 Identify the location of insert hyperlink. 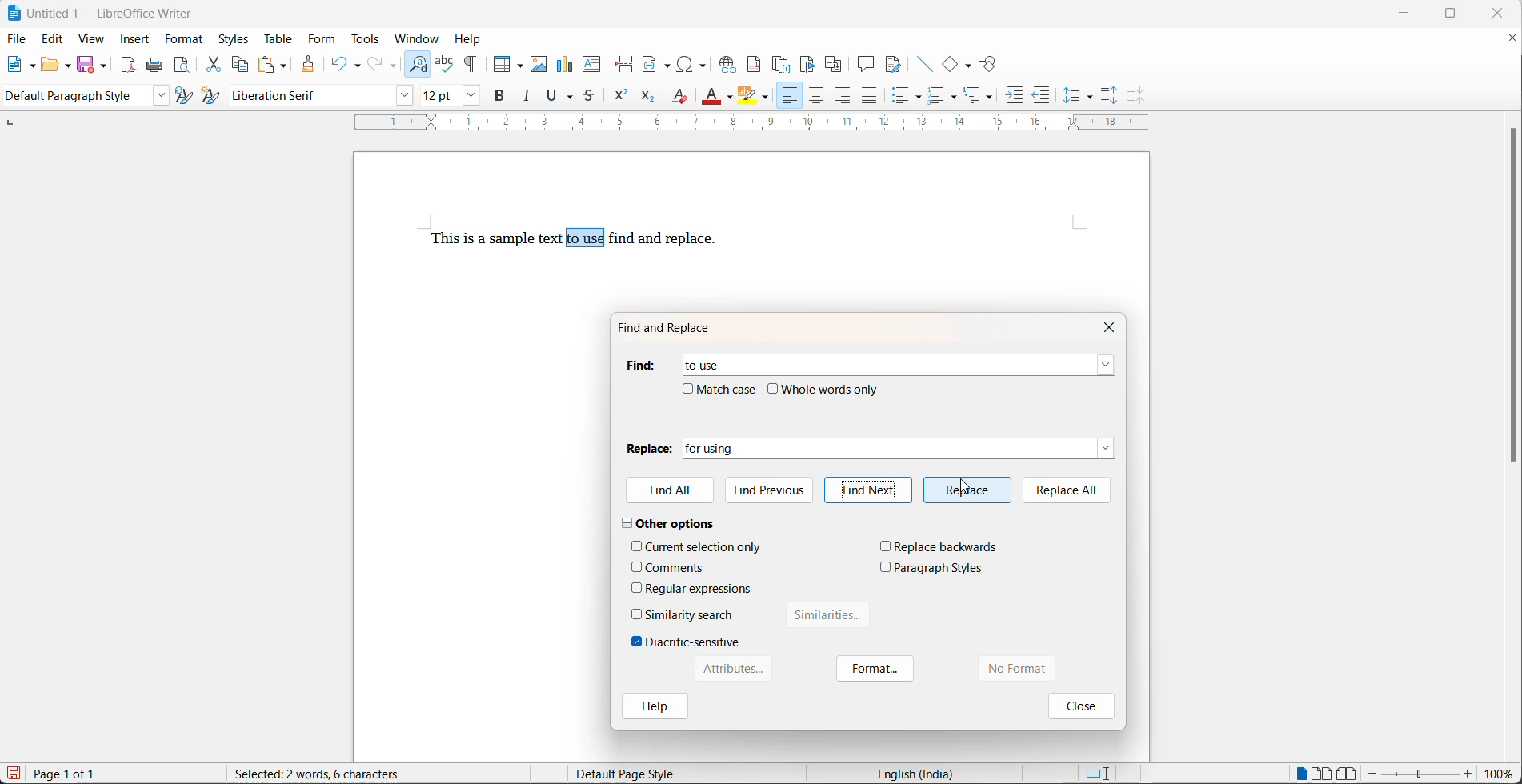
(729, 64).